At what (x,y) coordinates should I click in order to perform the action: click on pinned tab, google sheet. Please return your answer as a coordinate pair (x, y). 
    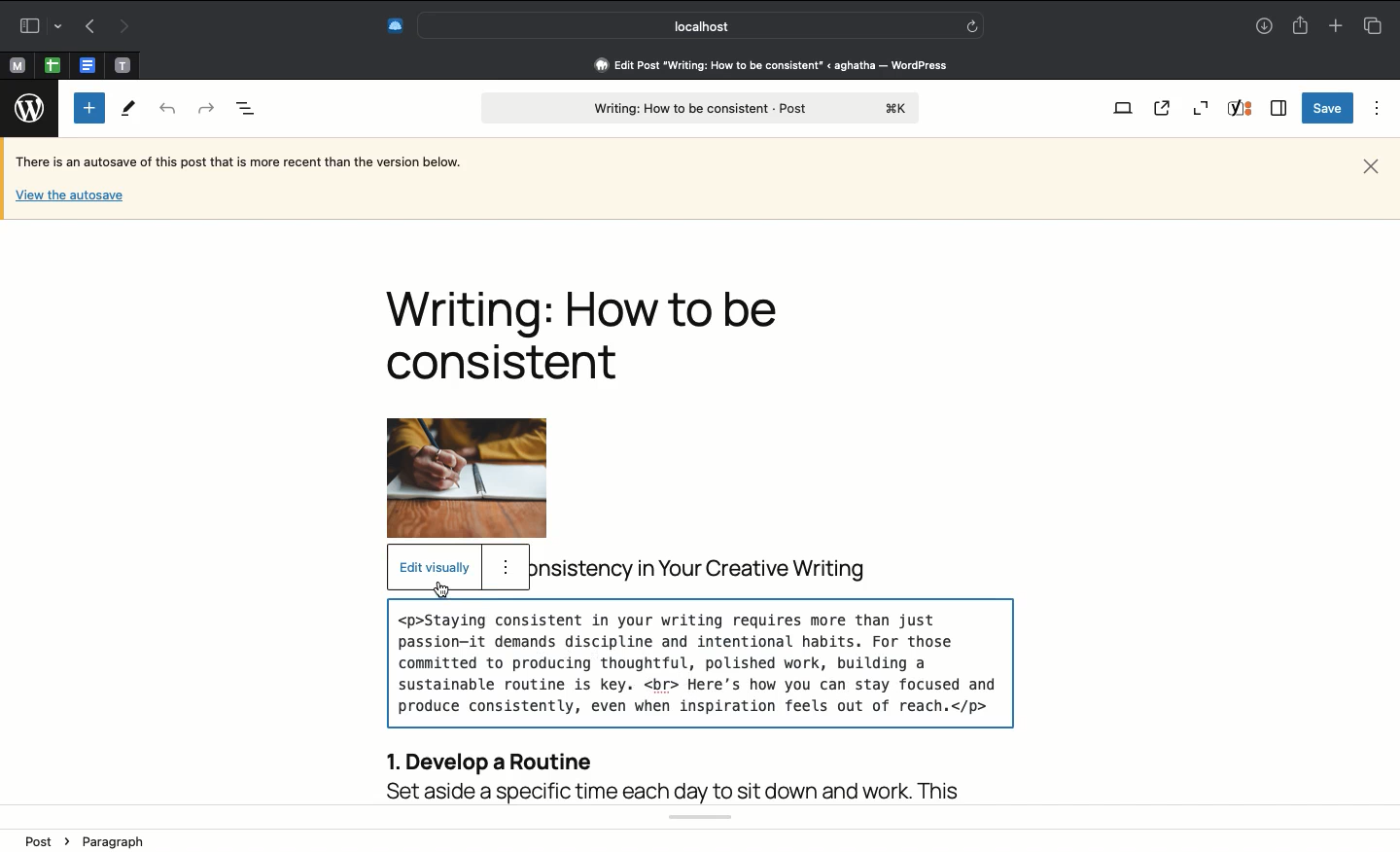
    Looking at the image, I should click on (52, 62).